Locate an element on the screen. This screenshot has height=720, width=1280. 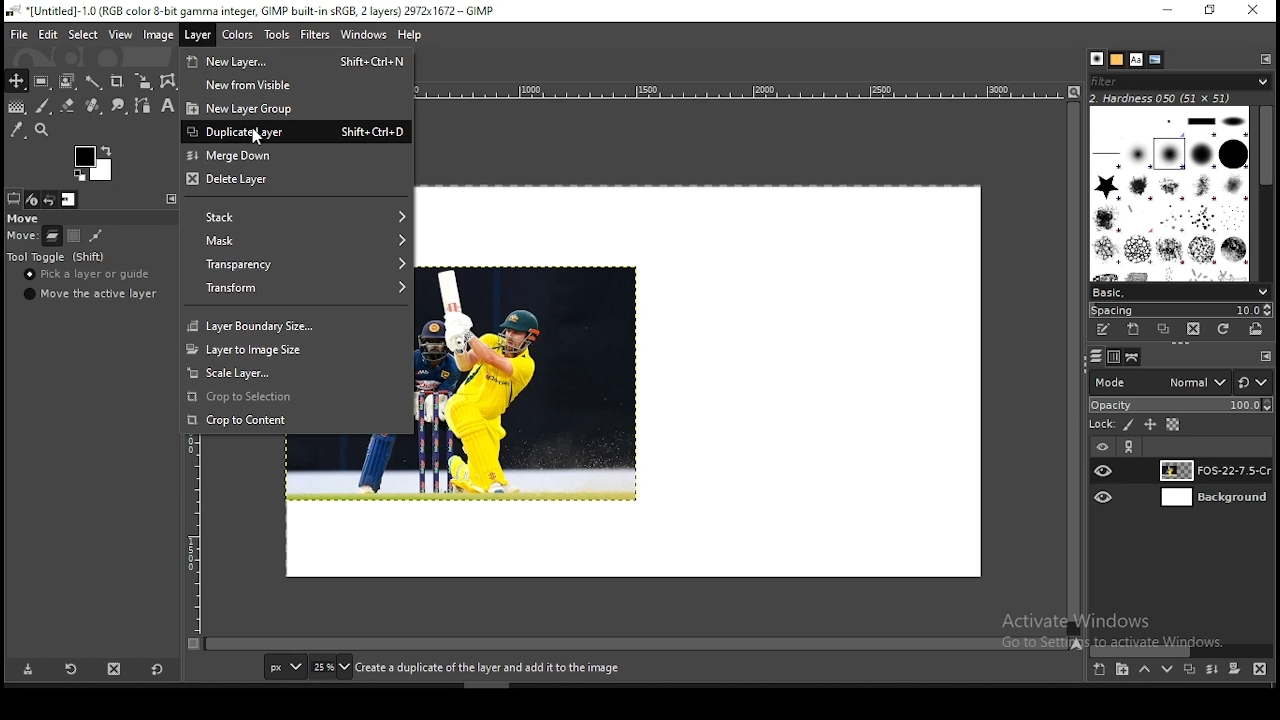
move channels is located at coordinates (73, 236).